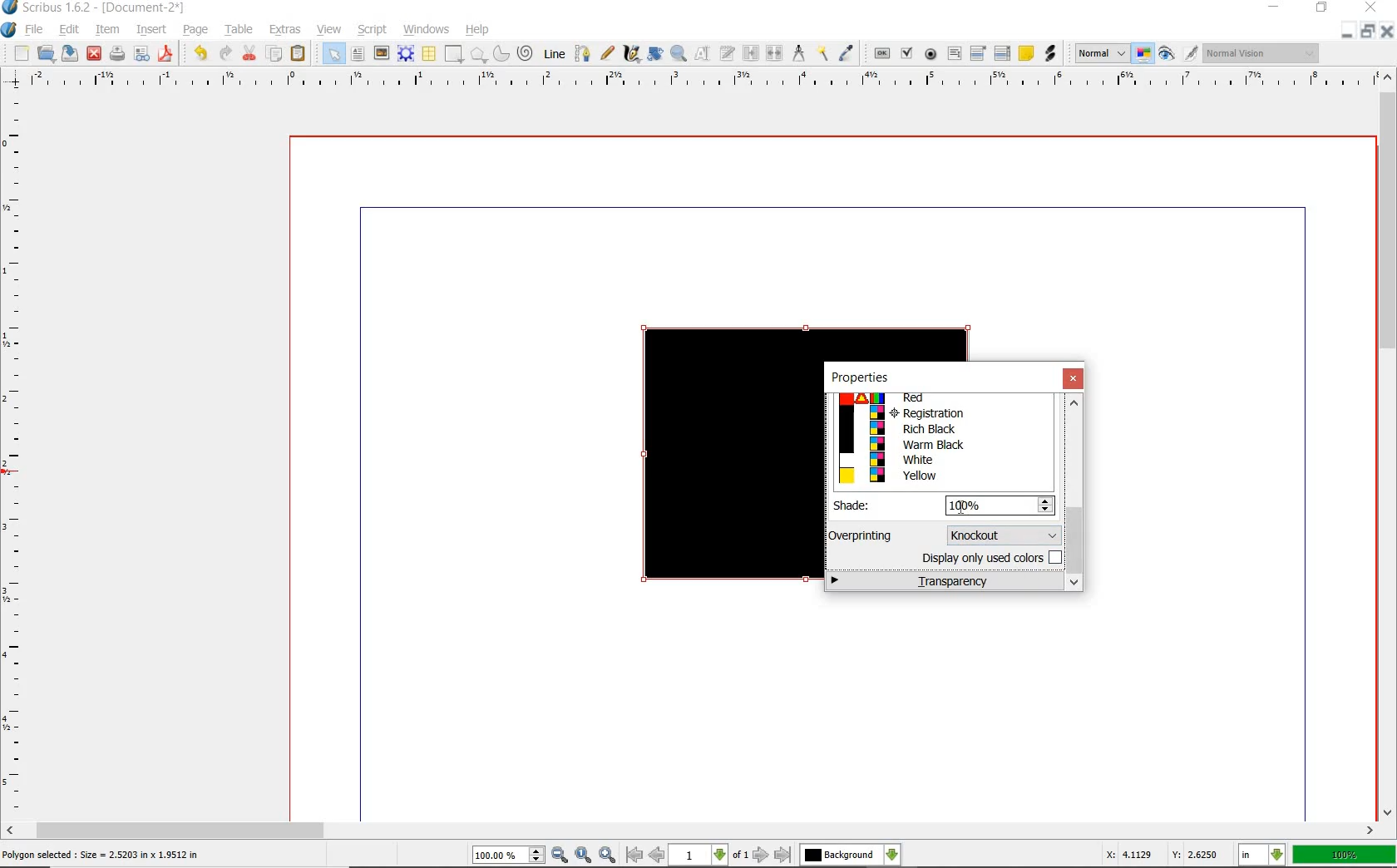  I want to click on table, so click(429, 53).